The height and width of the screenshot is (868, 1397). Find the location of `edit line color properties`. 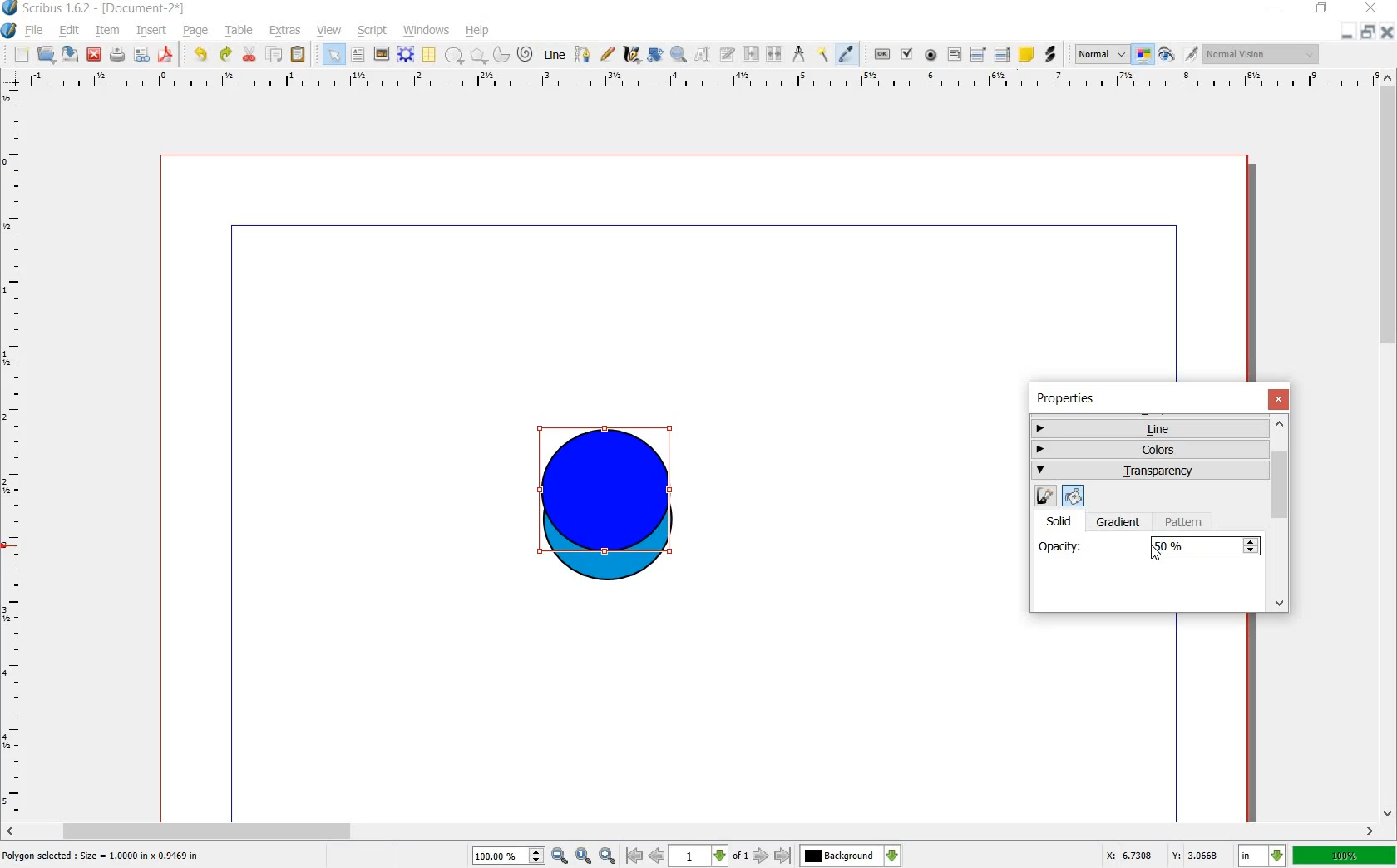

edit line color properties is located at coordinates (1044, 496).